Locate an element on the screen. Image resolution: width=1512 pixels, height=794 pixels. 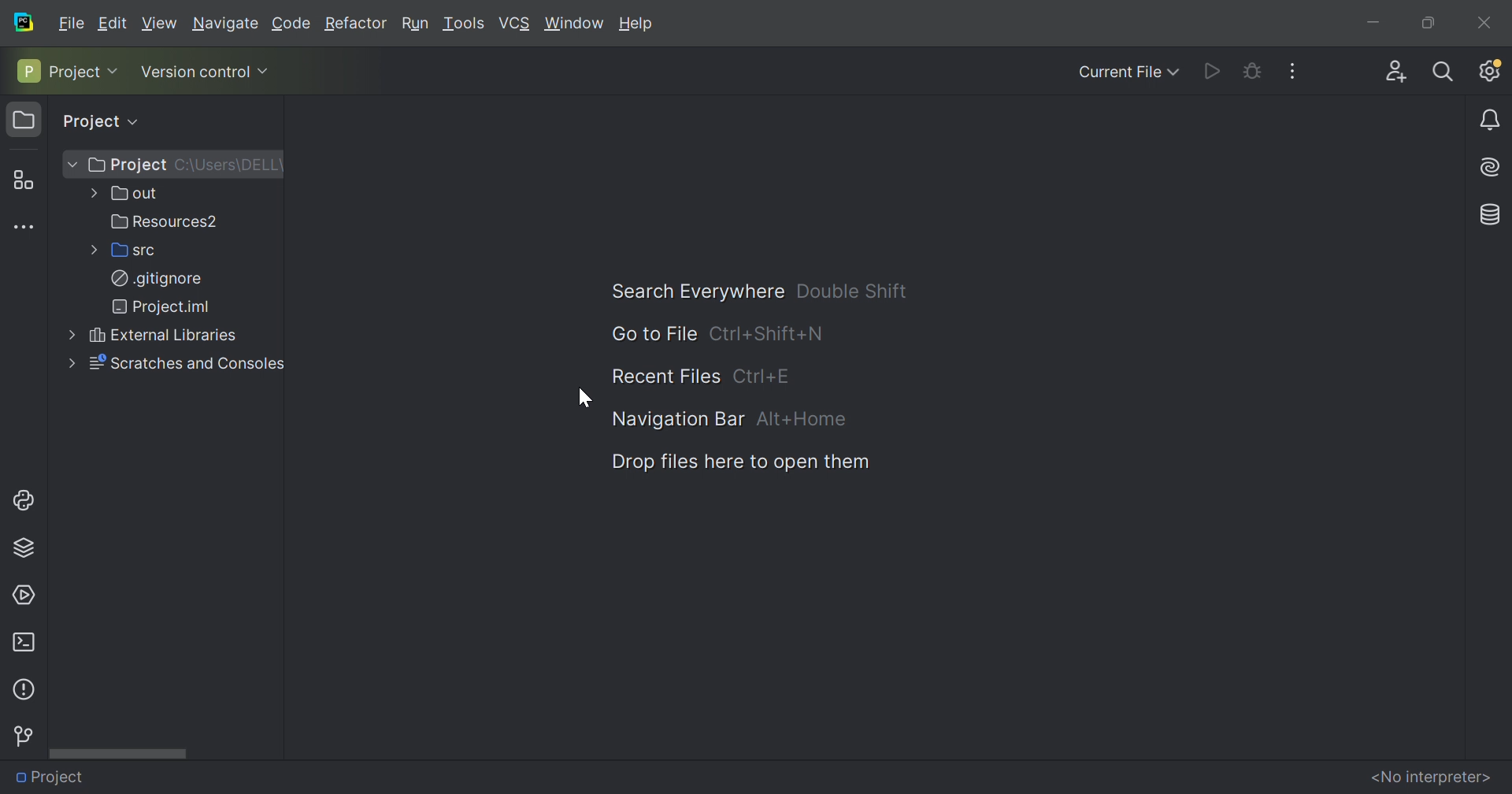
Restore Down is located at coordinates (1425, 22).